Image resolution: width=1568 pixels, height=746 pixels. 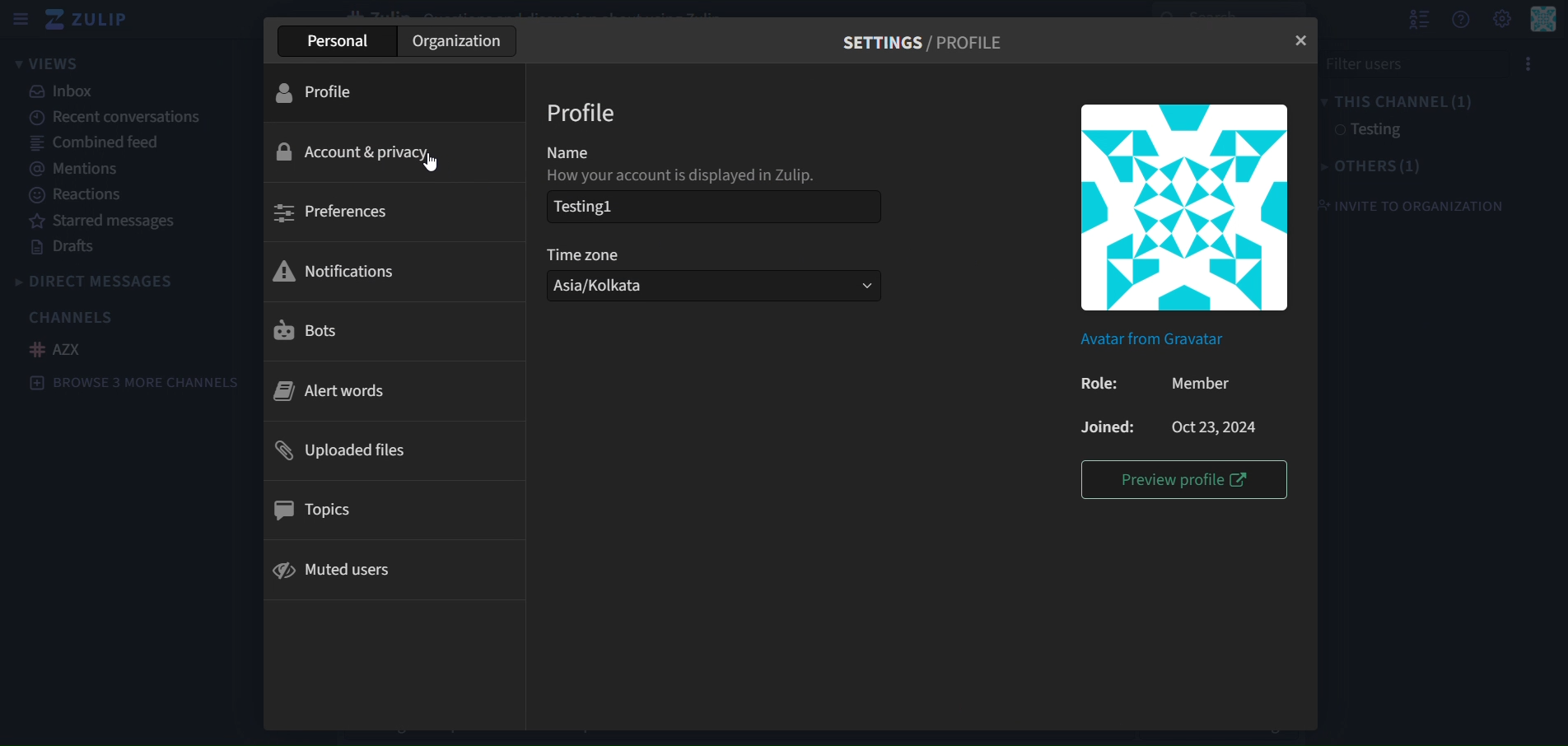 What do you see at coordinates (344, 212) in the screenshot?
I see `preferences` at bounding box center [344, 212].